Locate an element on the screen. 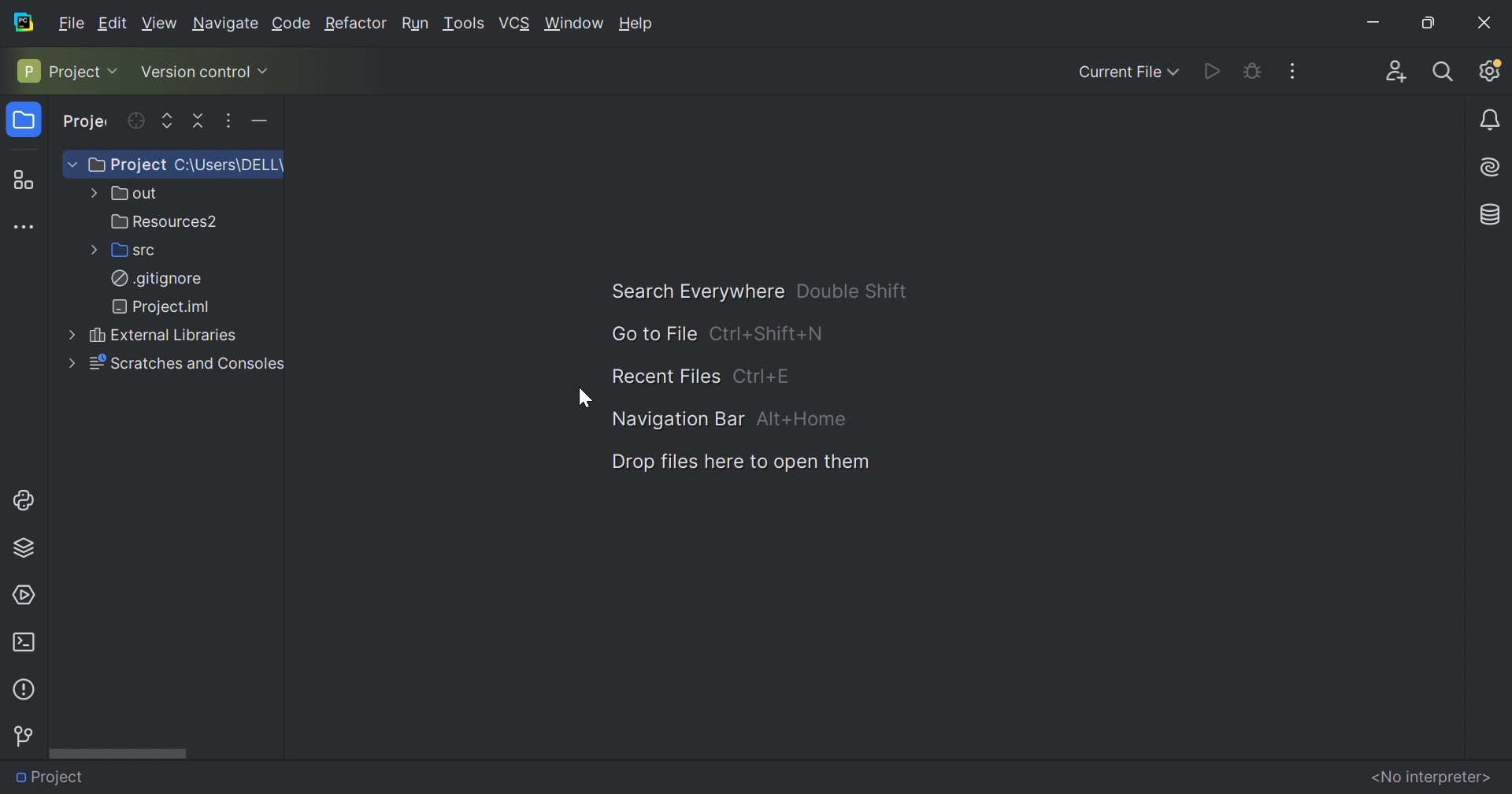 The height and width of the screenshot is (794, 1512). Drop Down is located at coordinates (71, 165).